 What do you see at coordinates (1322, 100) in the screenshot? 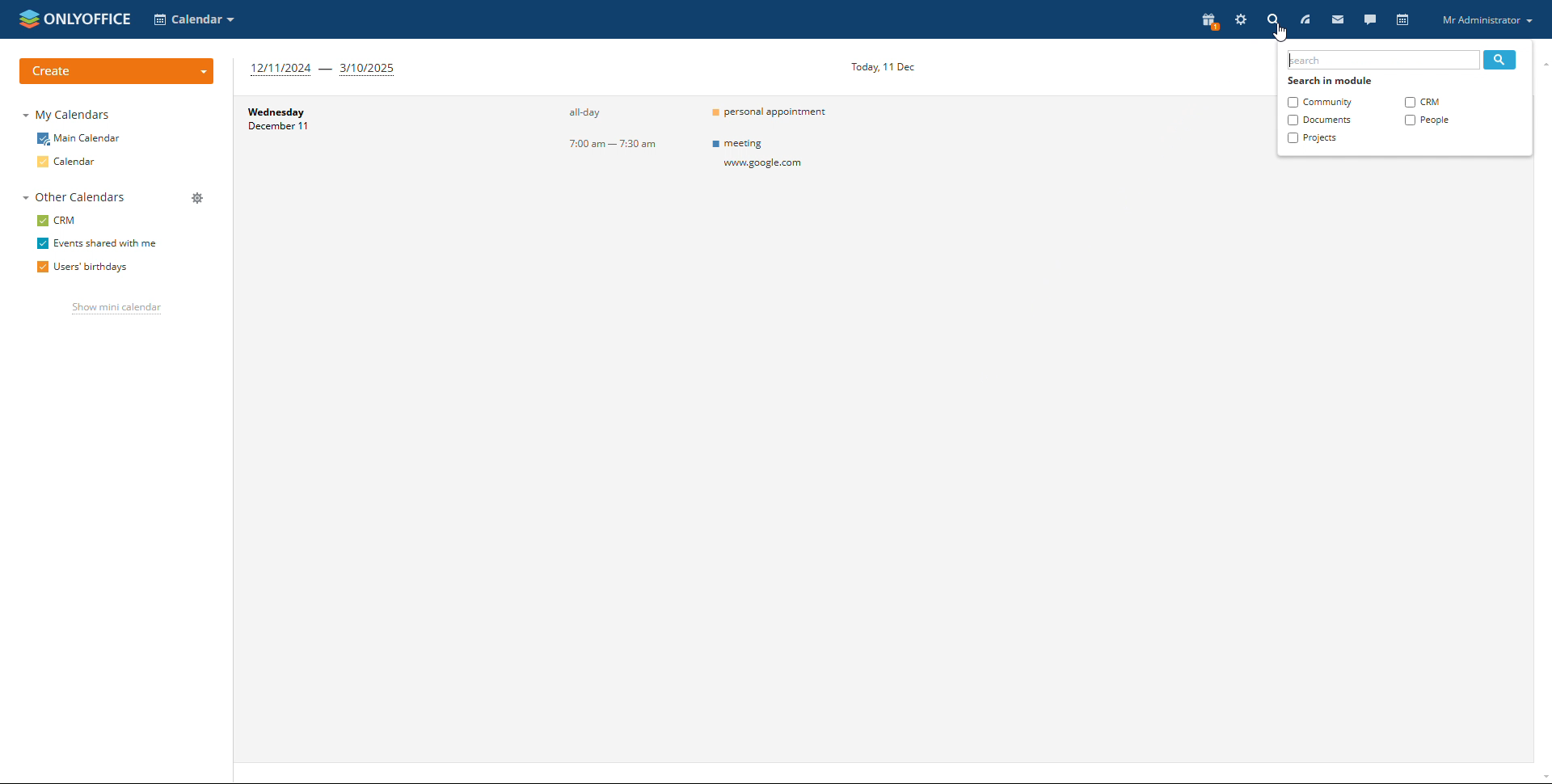
I see `community` at bounding box center [1322, 100].